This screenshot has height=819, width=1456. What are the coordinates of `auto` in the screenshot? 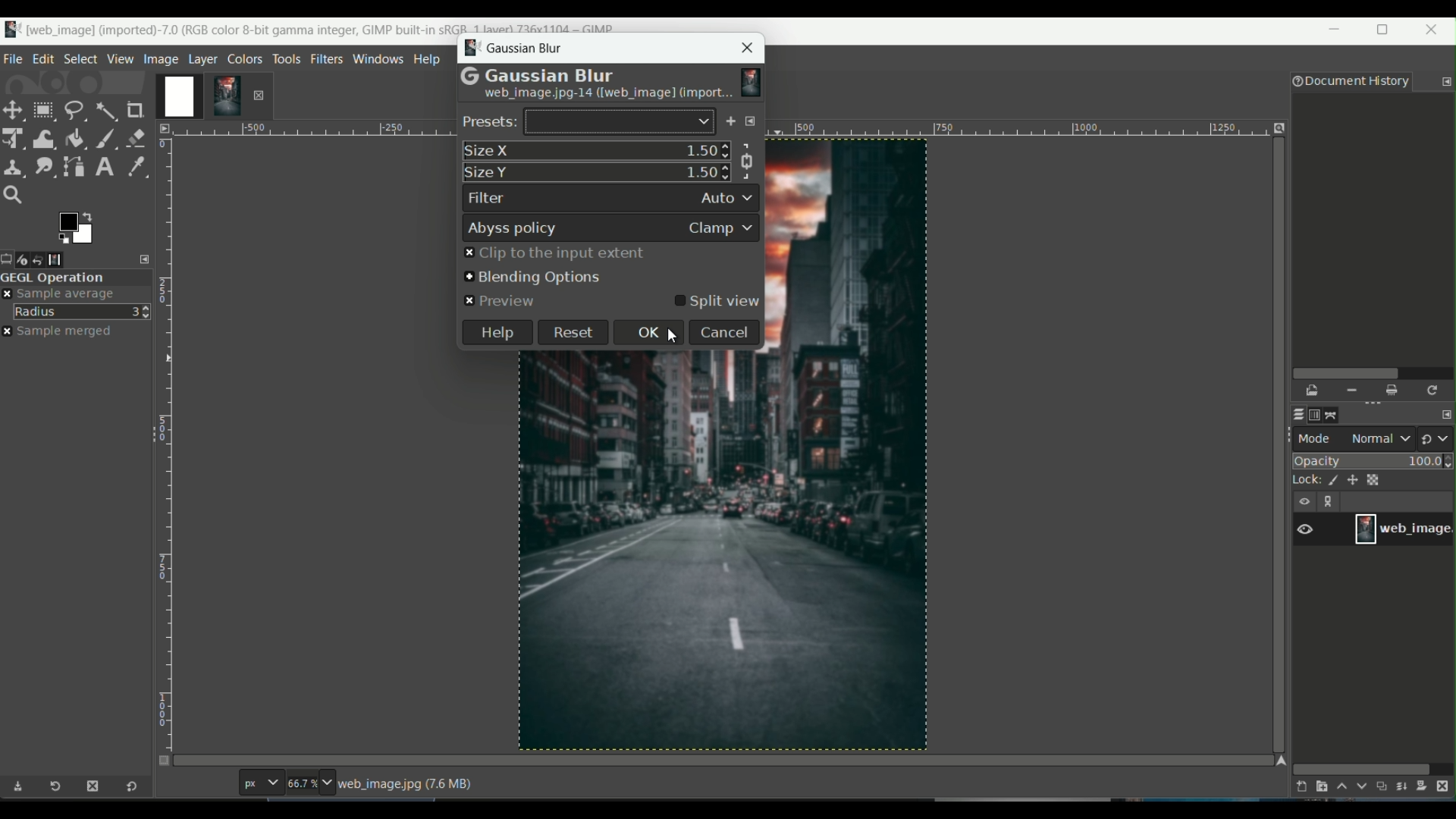 It's located at (726, 196).